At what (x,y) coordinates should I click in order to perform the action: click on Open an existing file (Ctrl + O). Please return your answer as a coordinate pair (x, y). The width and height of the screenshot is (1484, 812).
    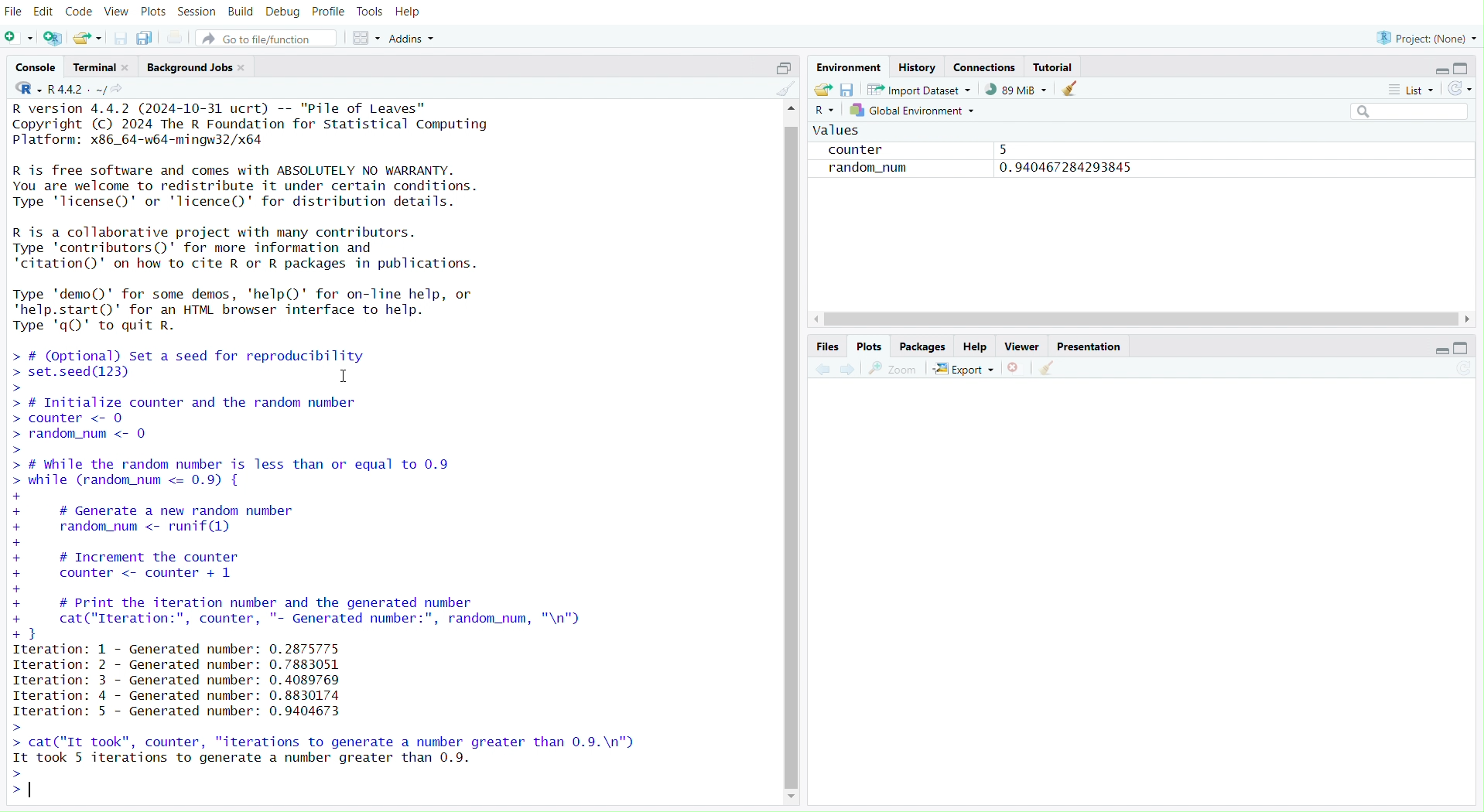
    Looking at the image, I should click on (88, 37).